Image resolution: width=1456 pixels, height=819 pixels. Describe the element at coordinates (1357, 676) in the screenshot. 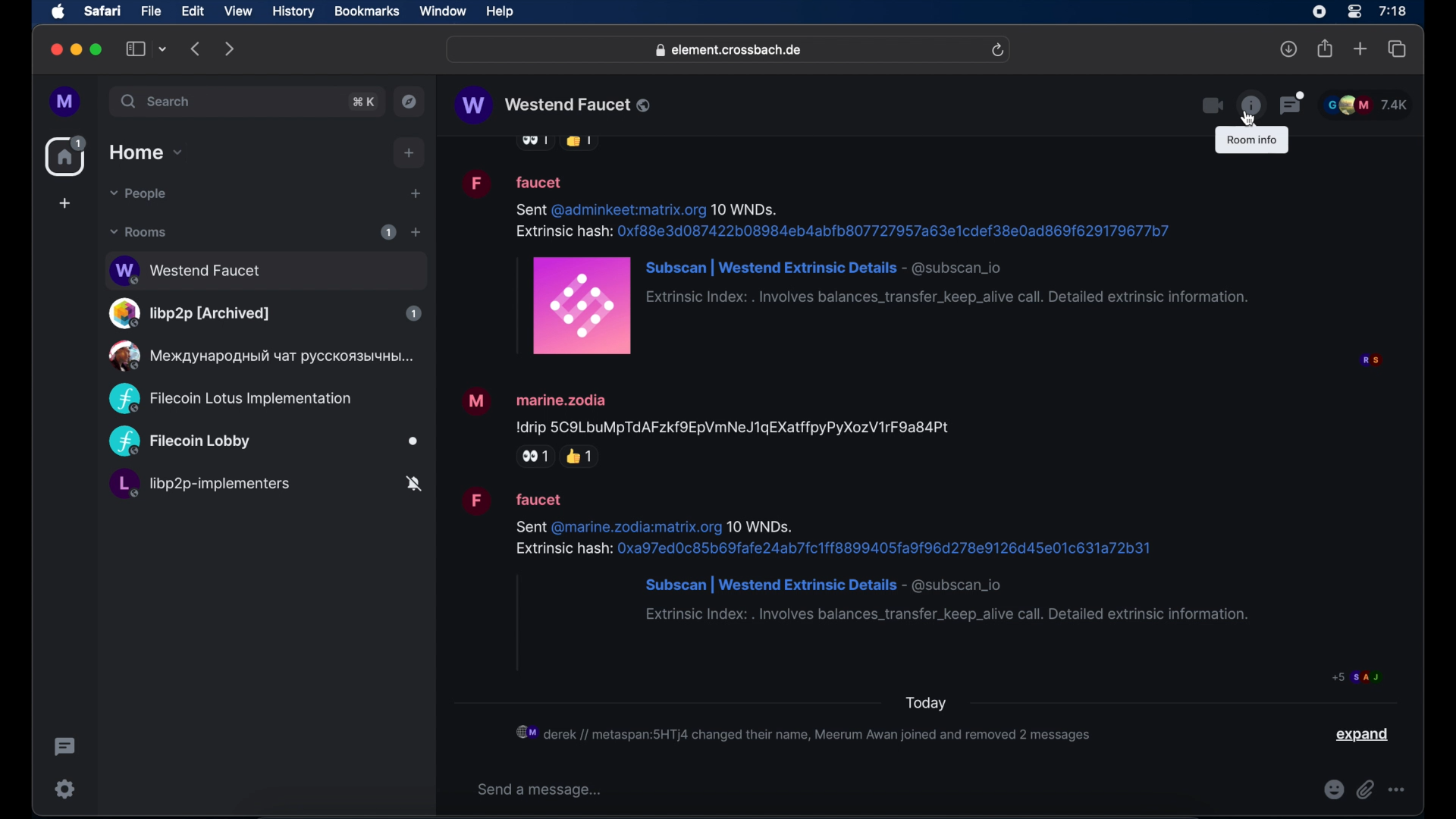

I see `participants` at that location.